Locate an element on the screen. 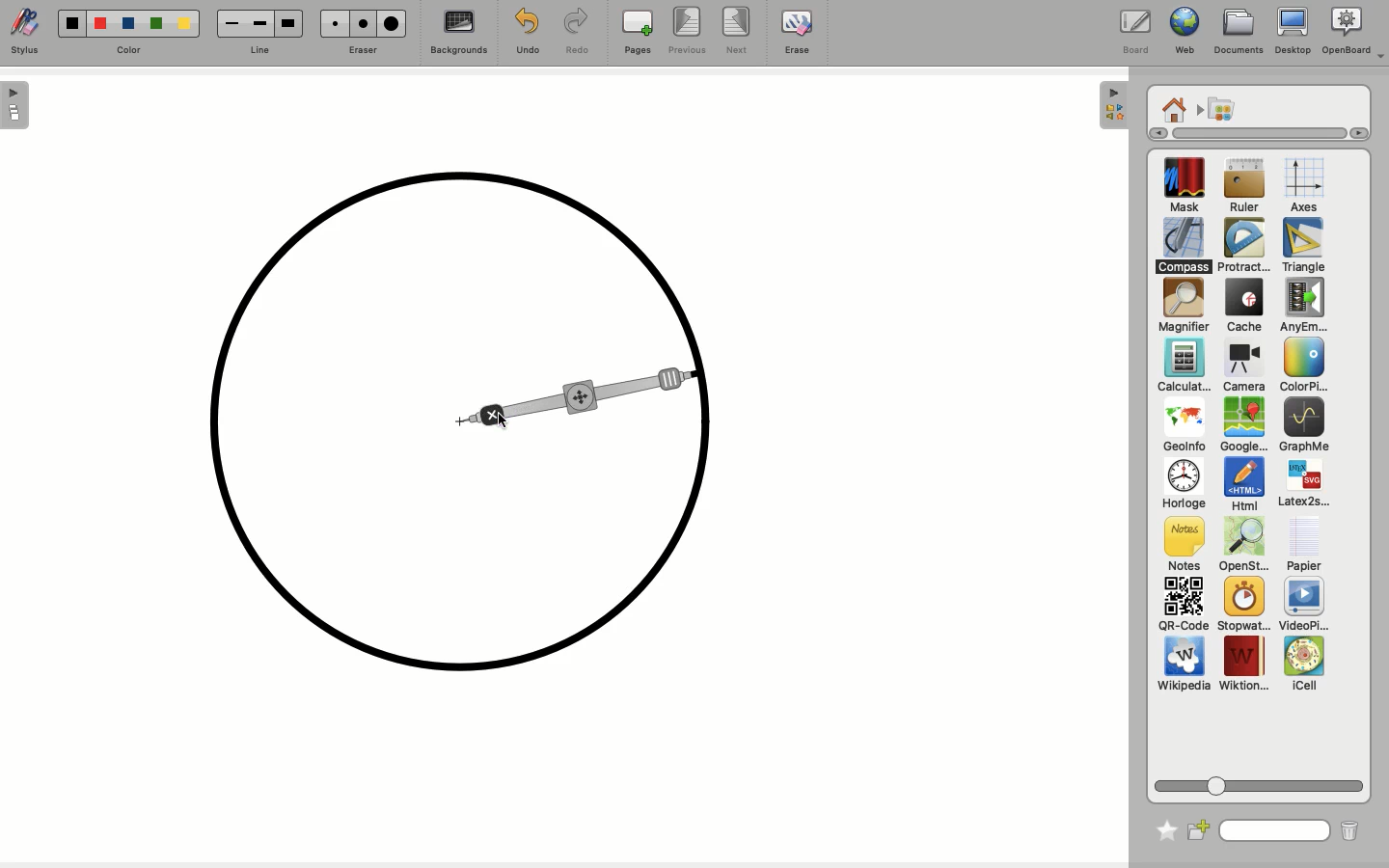 Image resolution: width=1389 pixels, height=868 pixels. eraser1 is located at coordinates (334, 23).